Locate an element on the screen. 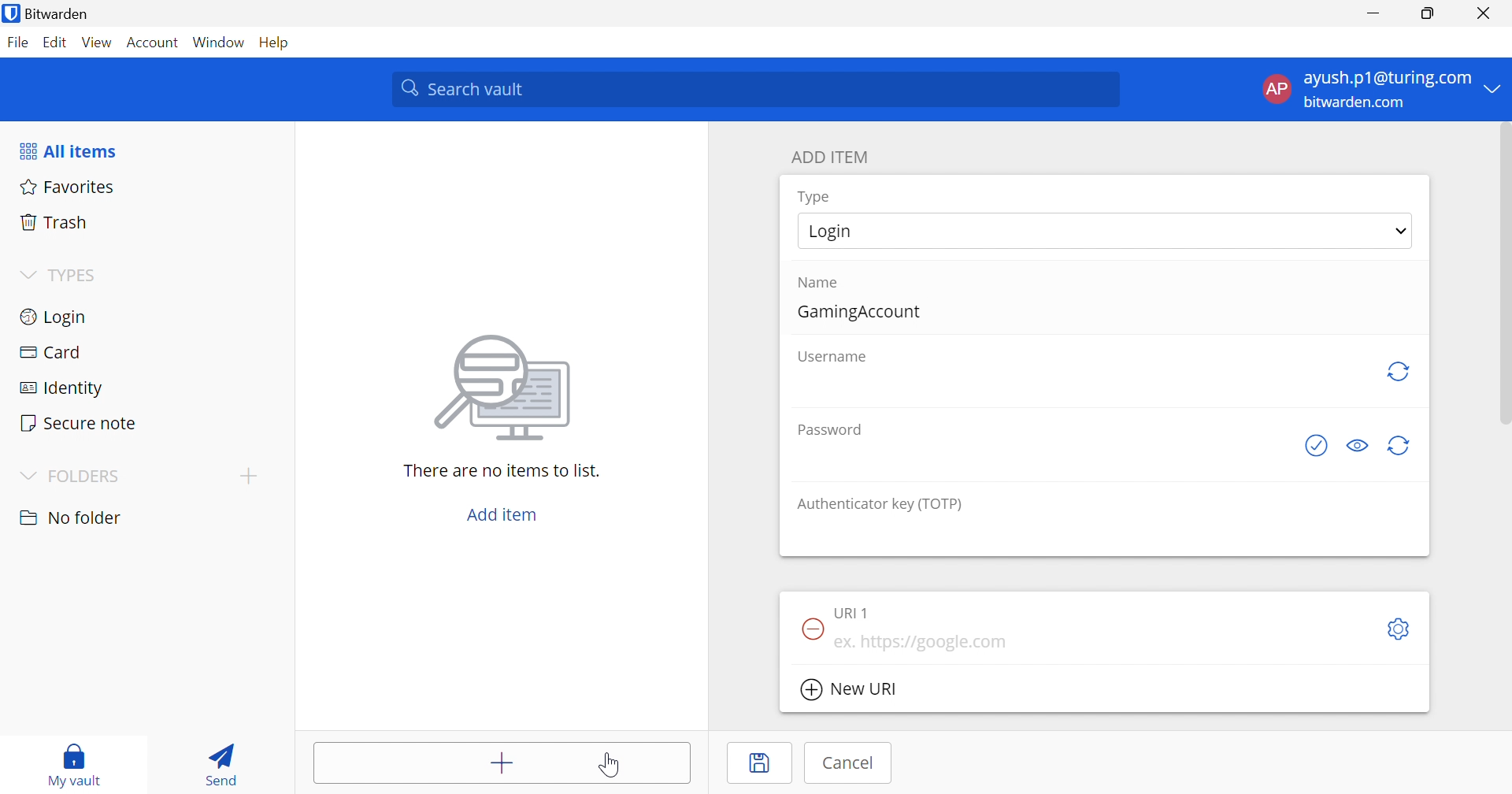 The height and width of the screenshot is (794, 1512). My vault is located at coordinates (72, 762).